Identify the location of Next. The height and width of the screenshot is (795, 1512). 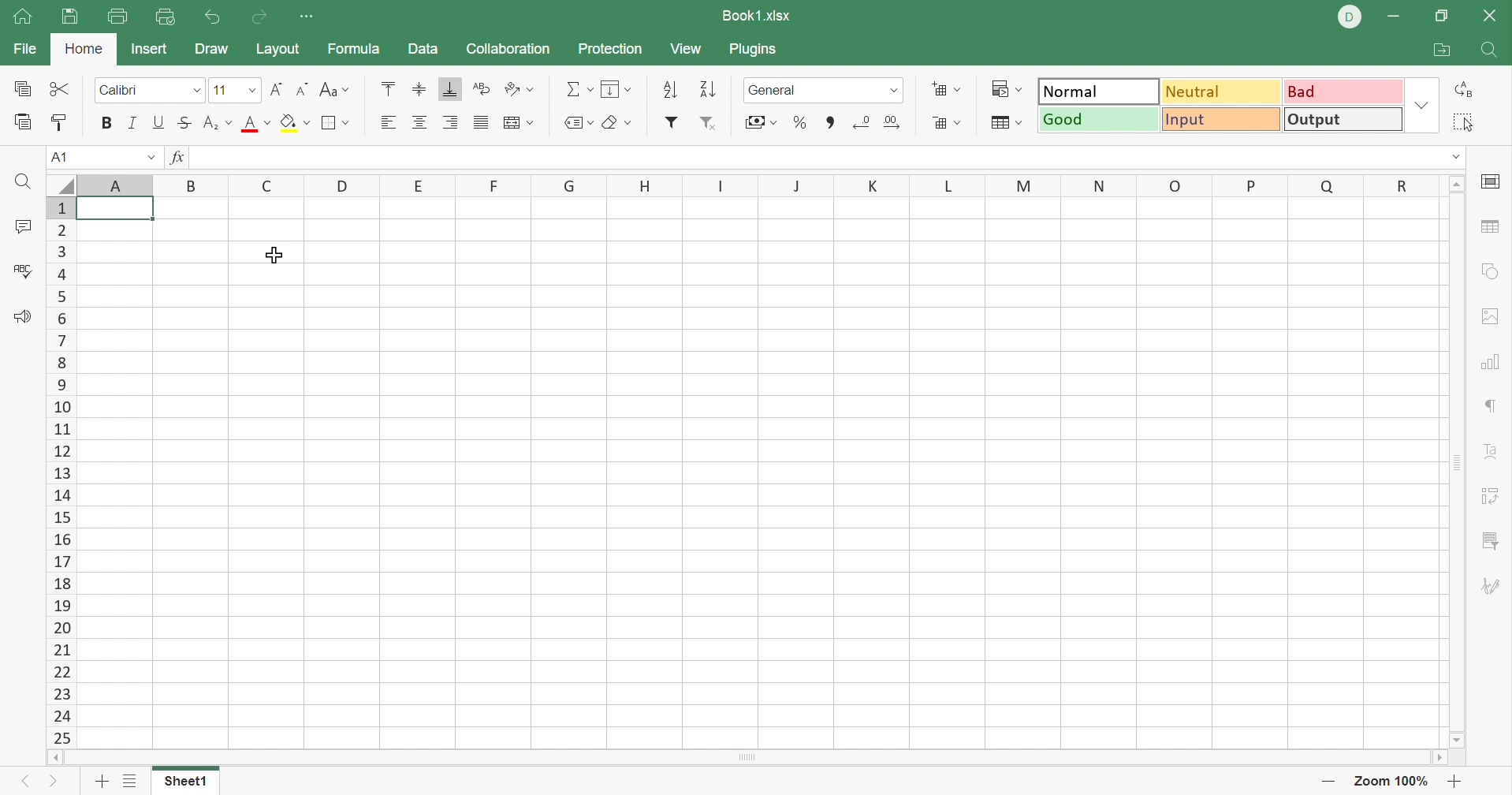
(55, 780).